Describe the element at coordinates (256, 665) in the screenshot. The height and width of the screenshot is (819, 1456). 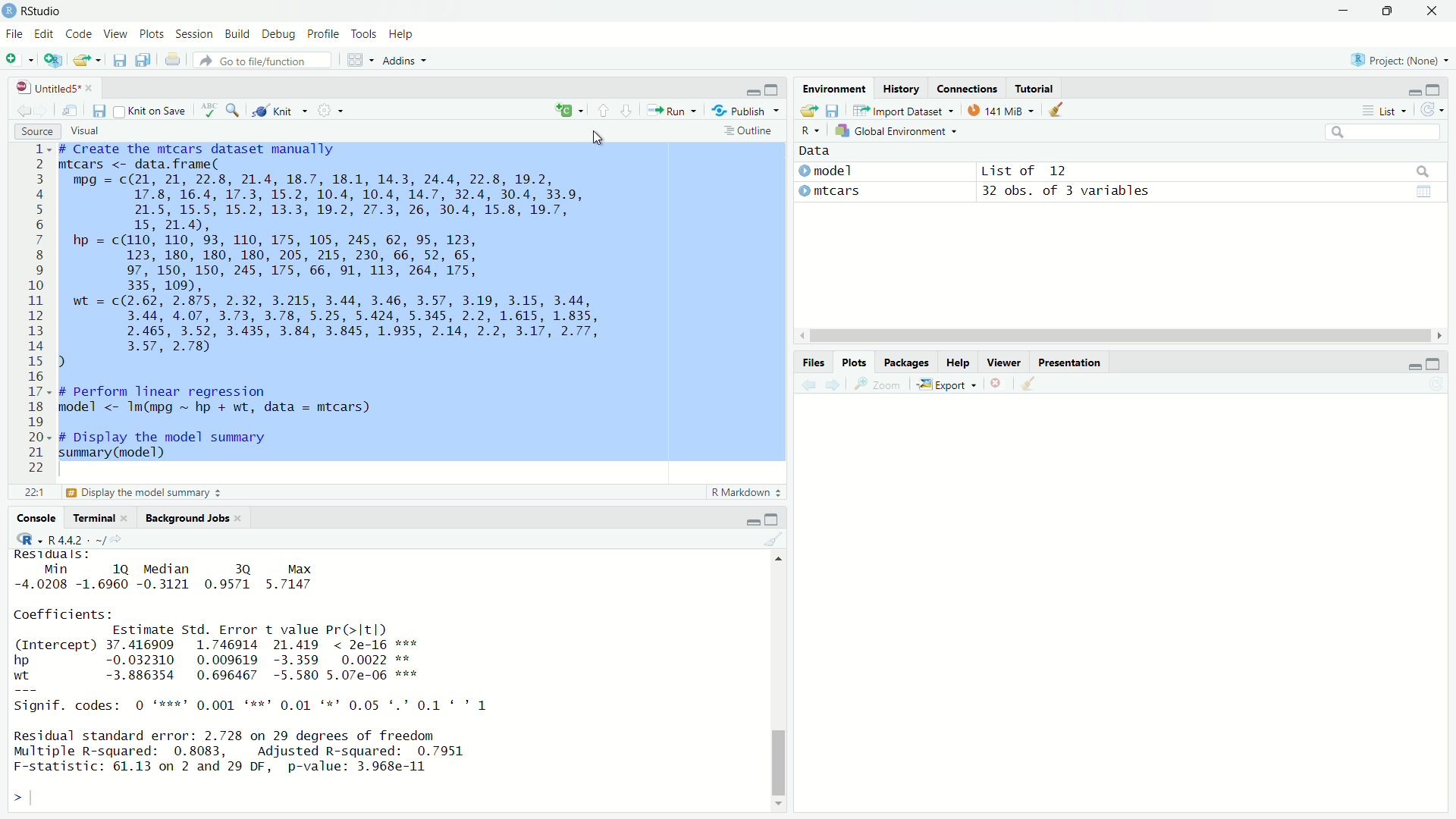
I see `Residuals : Min 1Q Median 3Q Max-4.0208 -1.6960 -0.3121 0.9571 5.7147Coefficients:Estimate Std. Error t value Pr(>|tl)(Intercept) 37.416909 1.746914 21.419 < 2e-16 ***hp -0.032310 0.009619 -3.359 0.0022 **wt -3.886354 0.696467 -5.580 5.07e-06 ***signif. codes: 0 ‘**’ 0.001 ‘**’ 0.01 ‘*’ 0.05 *.” 0.1 * * 1Residual standard error: 2.728 on 29 degrees of freedomMultiple R-squared: 0.8083, Adjusted R-squared: 0.7951F-statistic: 61.13 on 2 and 29 DF, p-value: 3.968e-11` at that location.